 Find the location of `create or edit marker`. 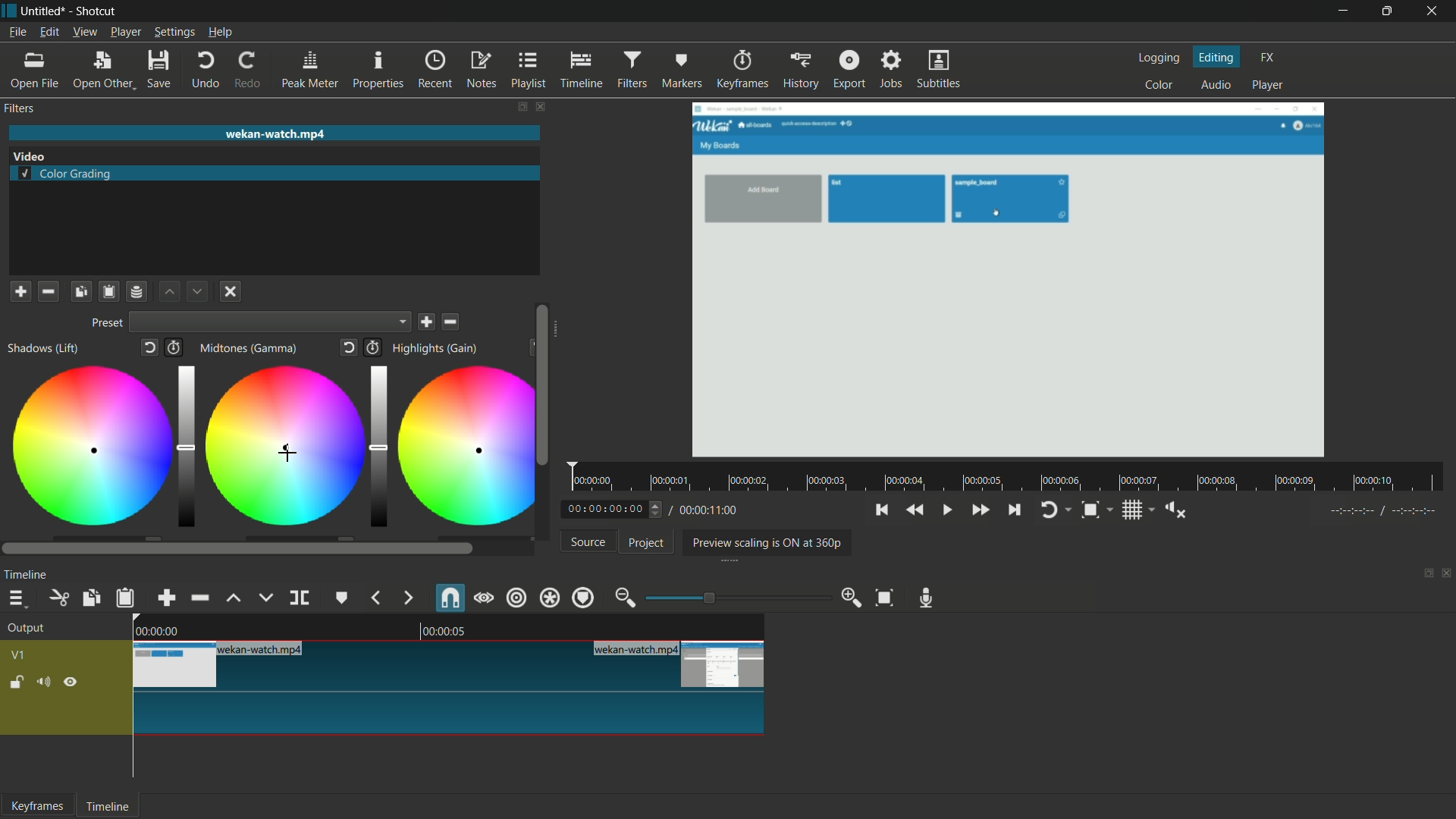

create or edit marker is located at coordinates (340, 598).